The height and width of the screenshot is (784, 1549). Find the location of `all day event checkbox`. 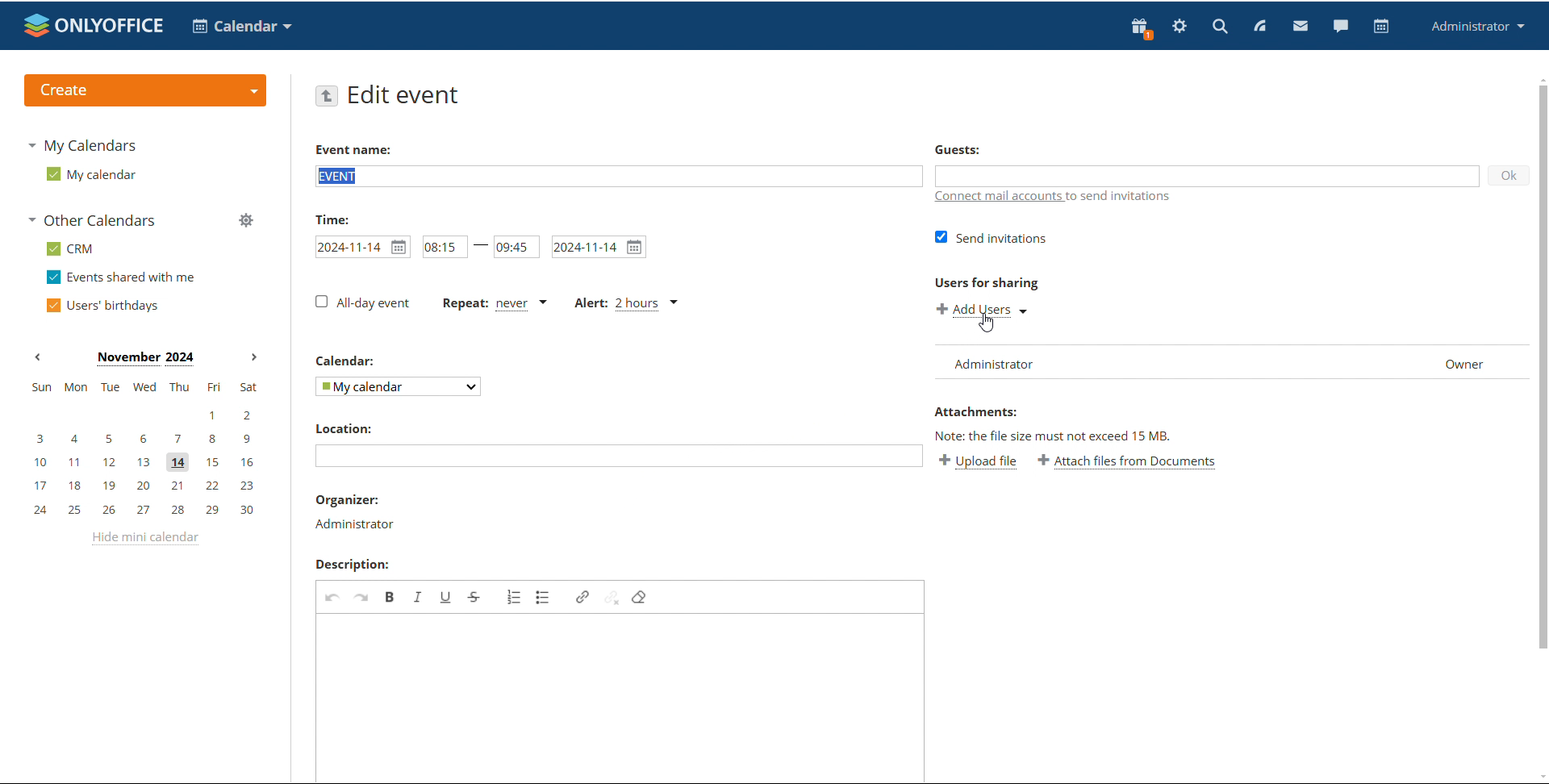

all day event checkbox is located at coordinates (361, 302).